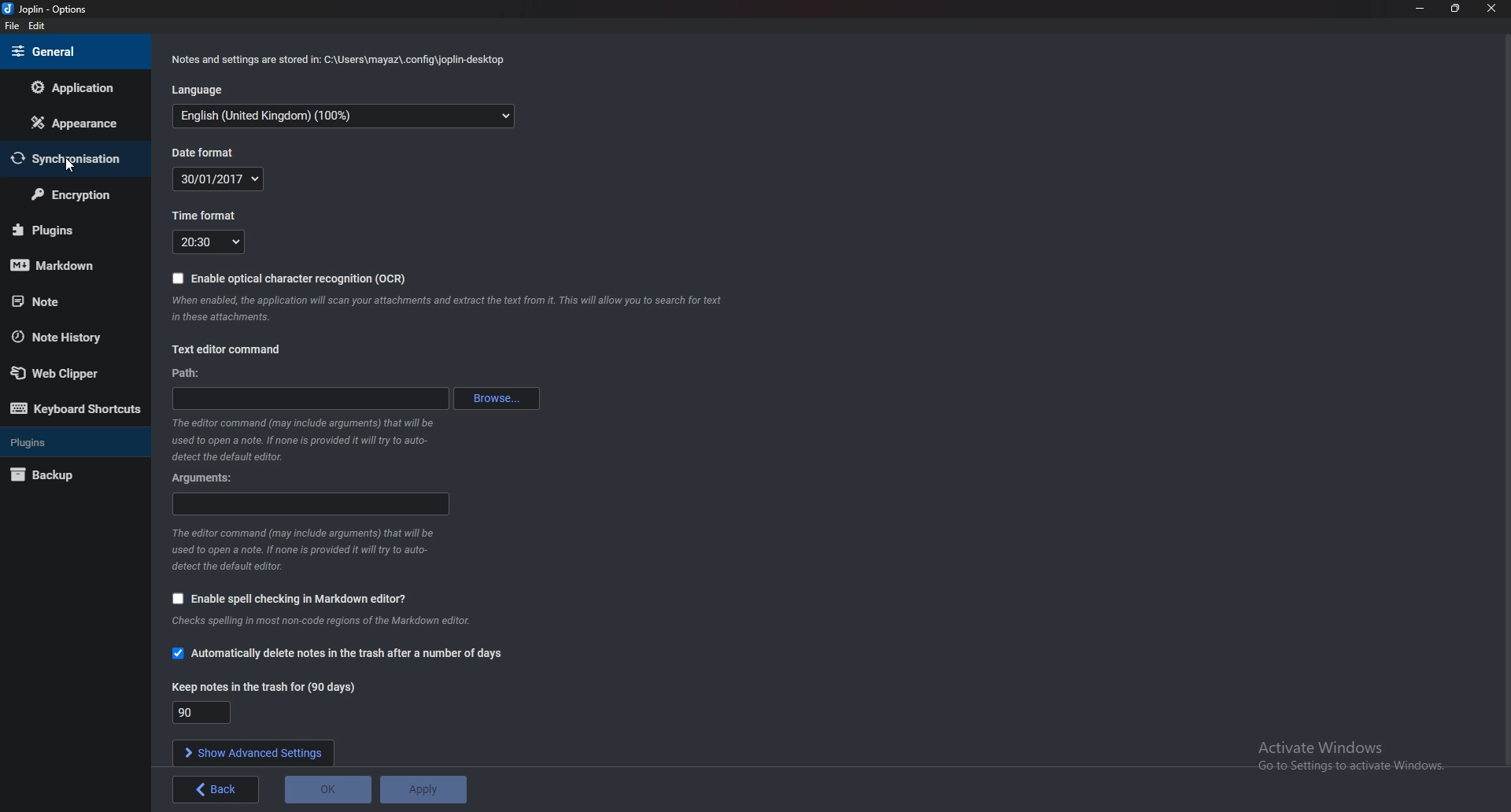 This screenshot has height=812, width=1511. I want to click on Synchronization, so click(77, 161).